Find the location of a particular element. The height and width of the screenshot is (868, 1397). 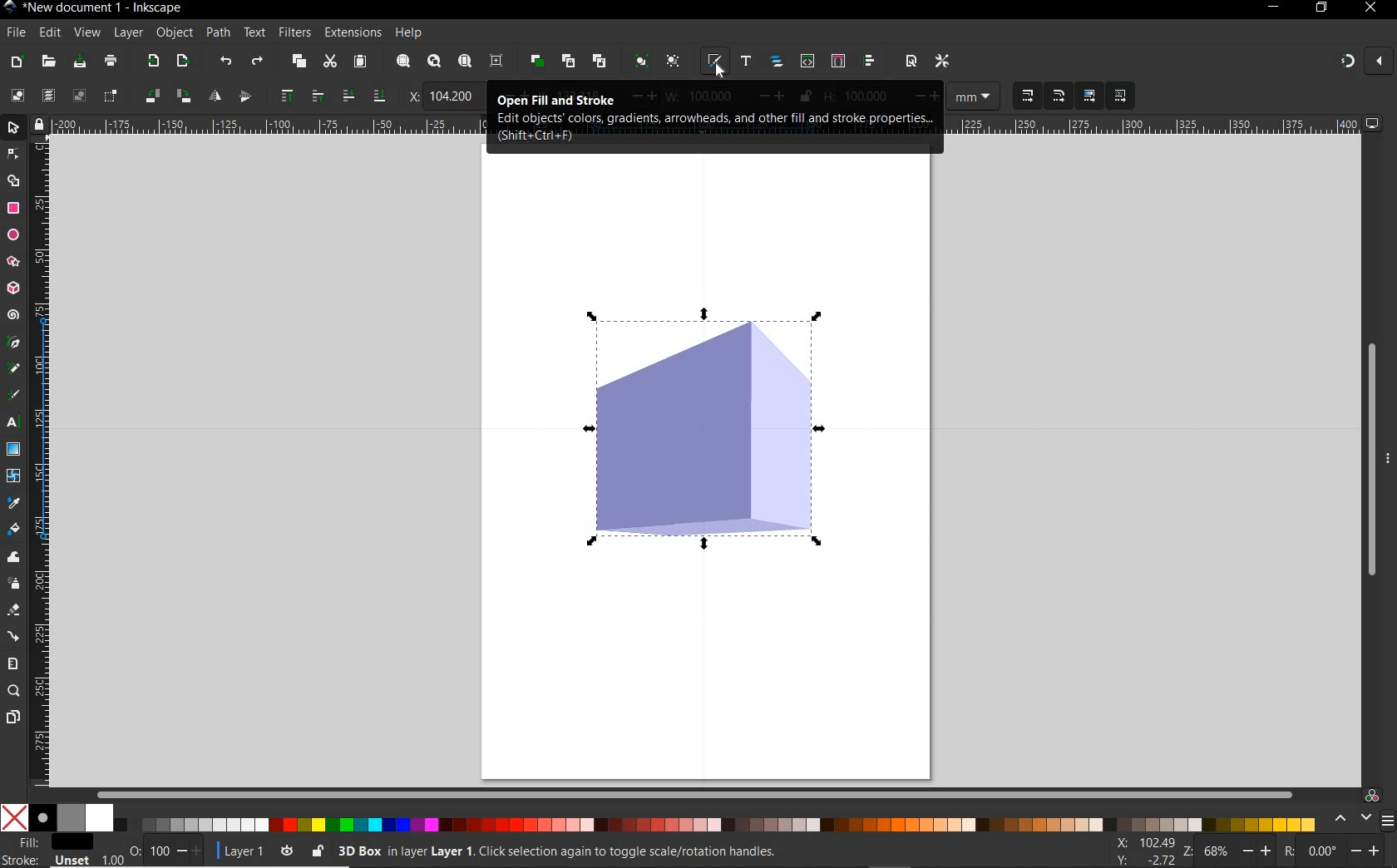

TOGGLE CURRENT LAYER VISIBILITY is located at coordinates (287, 851).